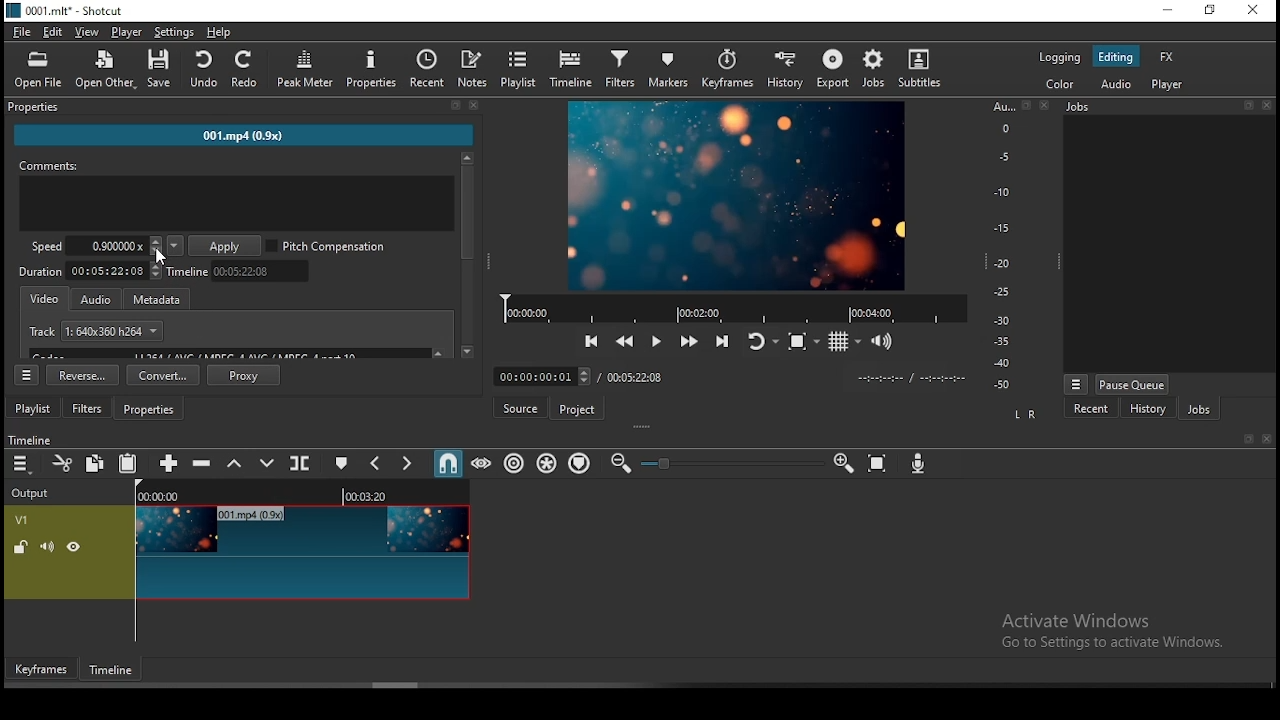 The height and width of the screenshot is (720, 1280). I want to click on proxy, so click(242, 375).